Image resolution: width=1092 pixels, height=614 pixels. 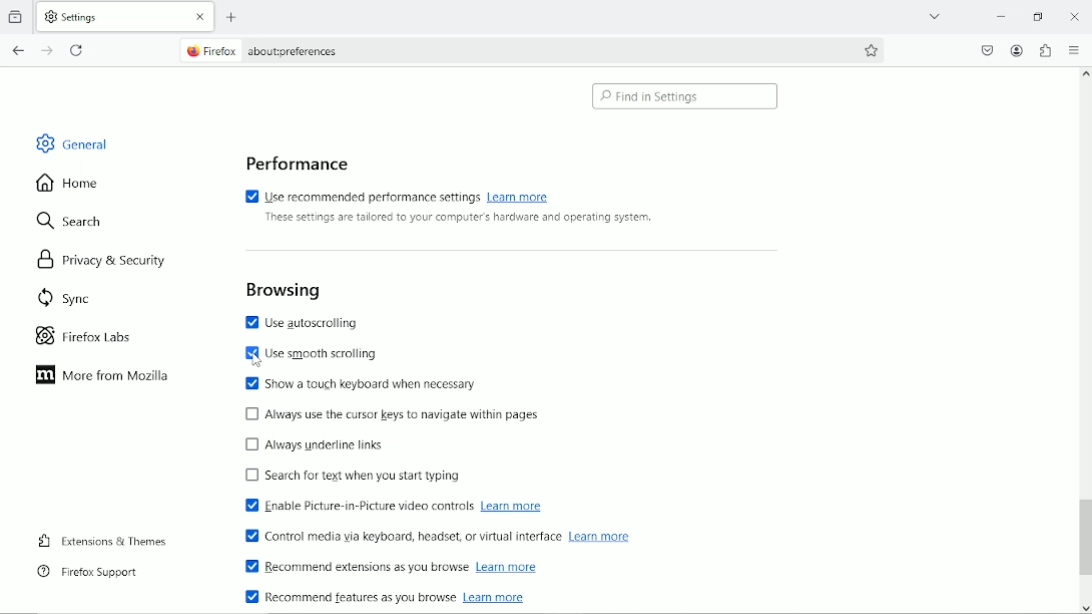 What do you see at coordinates (1018, 51) in the screenshot?
I see `account` at bounding box center [1018, 51].